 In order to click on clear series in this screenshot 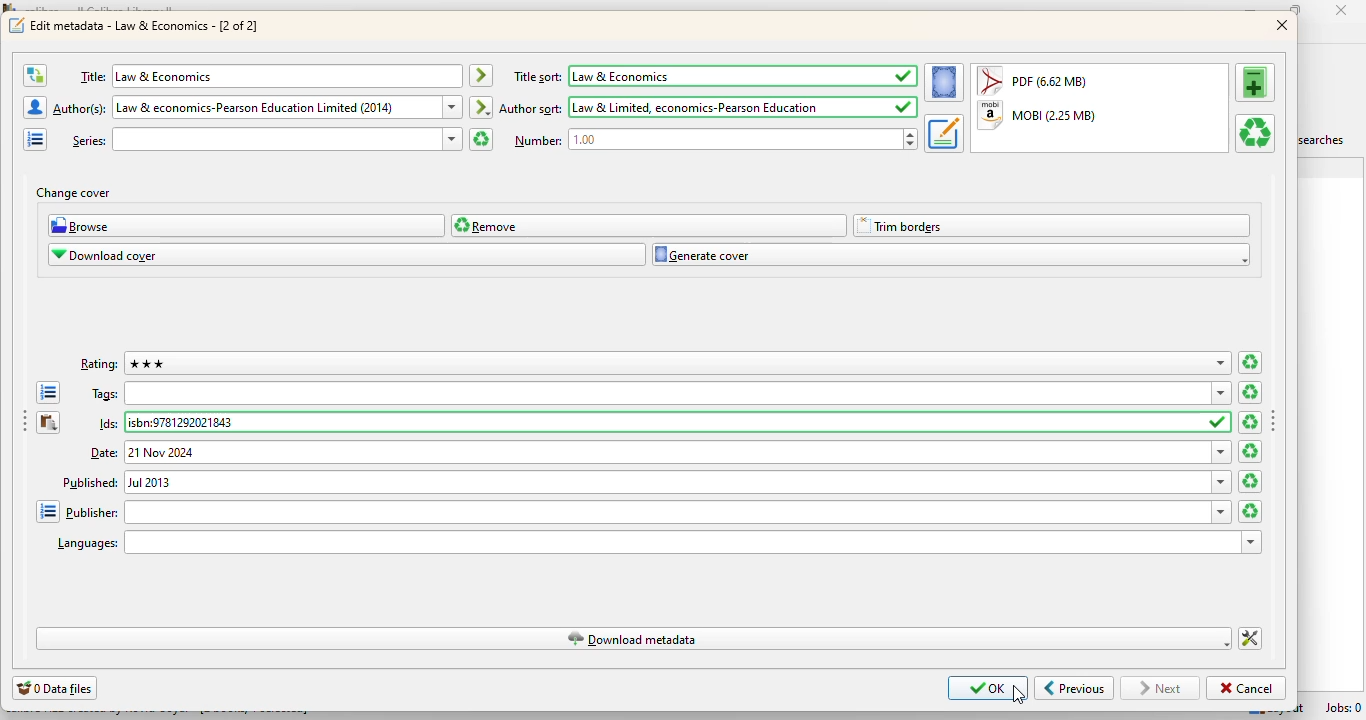, I will do `click(479, 139)`.